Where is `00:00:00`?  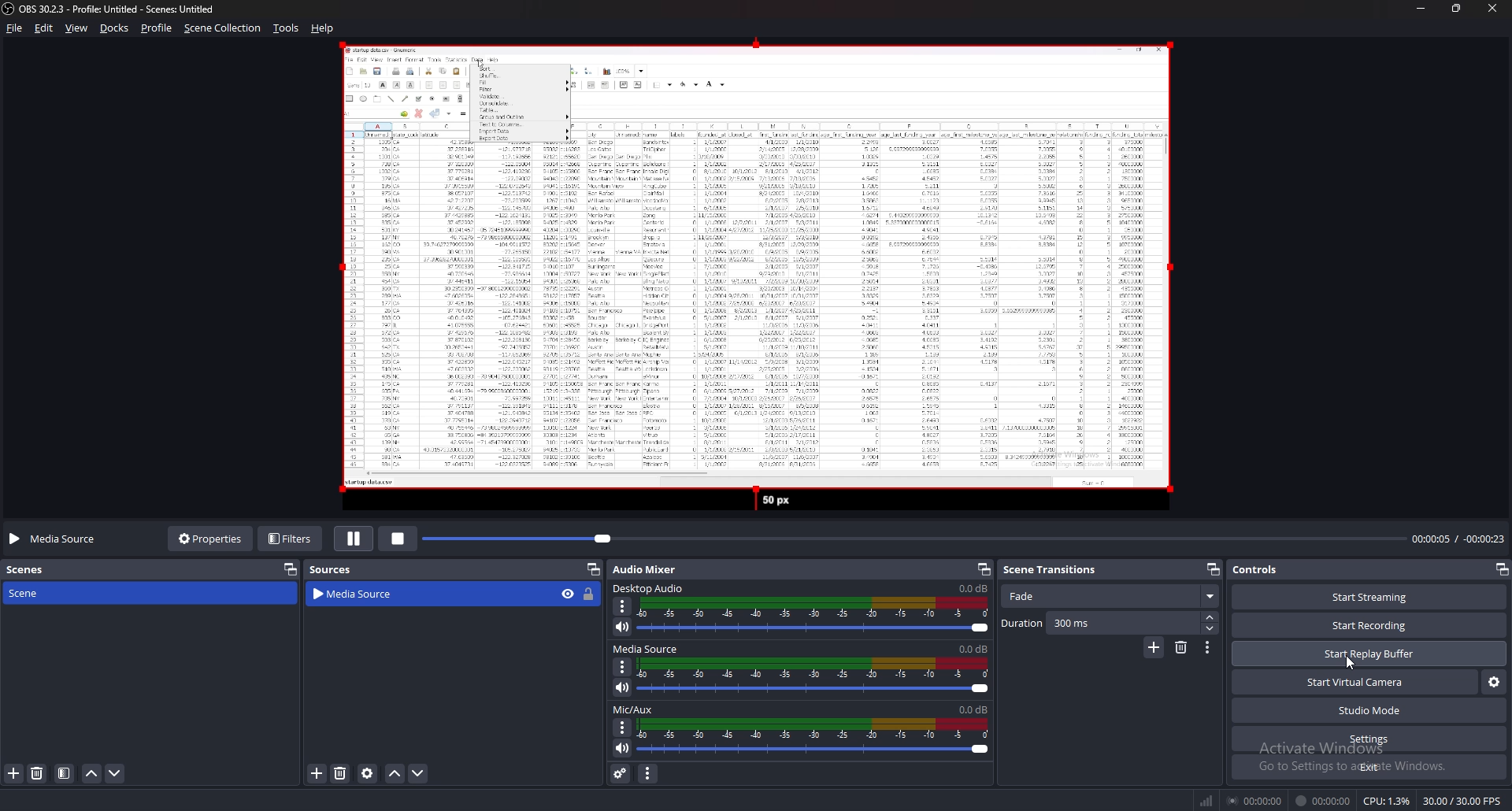 00:00:00 is located at coordinates (1254, 800).